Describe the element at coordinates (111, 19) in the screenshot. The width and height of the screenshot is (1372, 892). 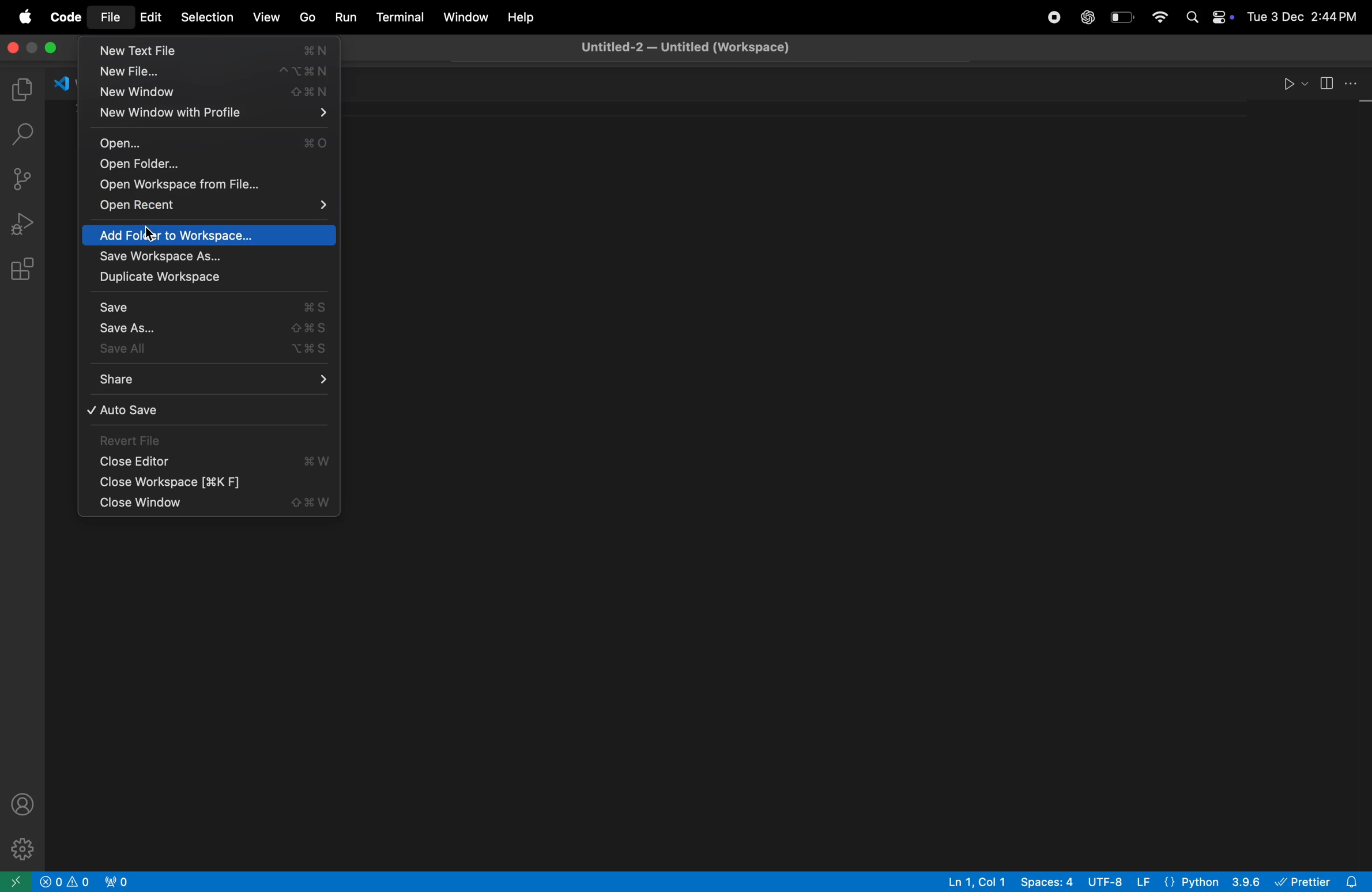
I see `file` at that location.